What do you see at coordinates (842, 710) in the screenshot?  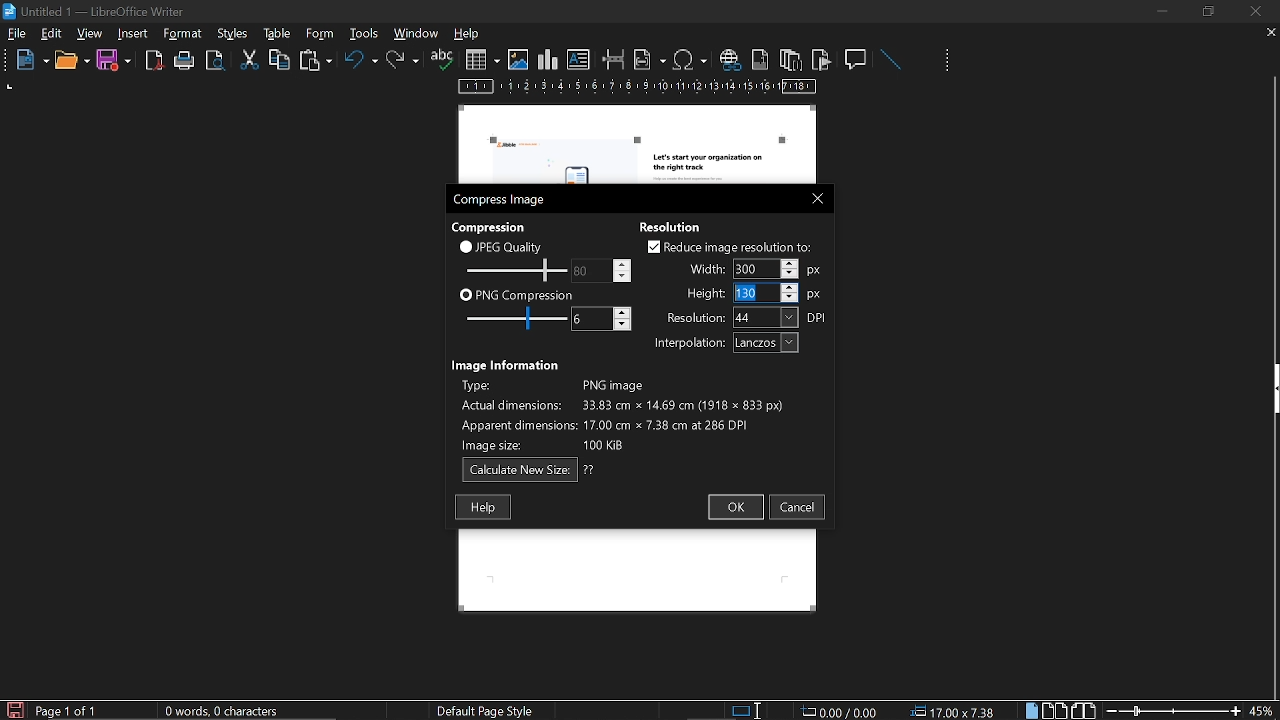 I see `0.00 / 0.00` at bounding box center [842, 710].